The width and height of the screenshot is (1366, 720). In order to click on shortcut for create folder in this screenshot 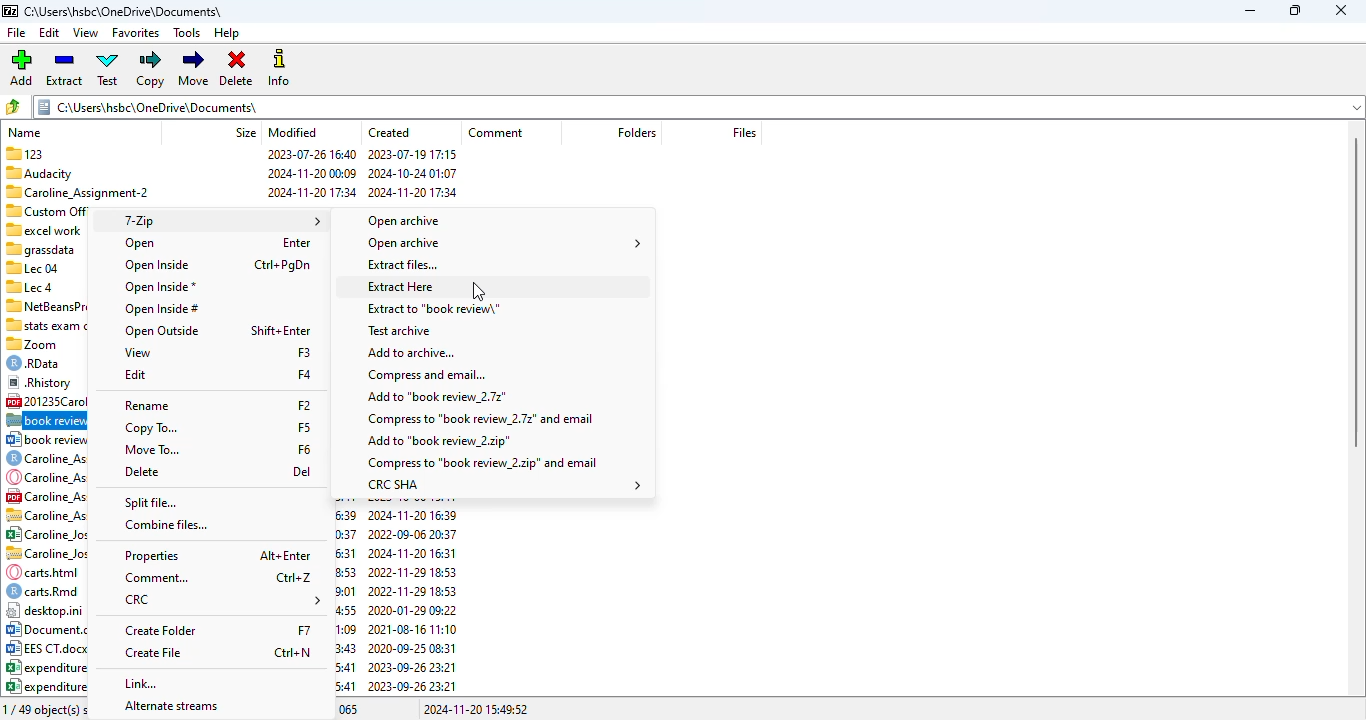, I will do `click(303, 629)`.